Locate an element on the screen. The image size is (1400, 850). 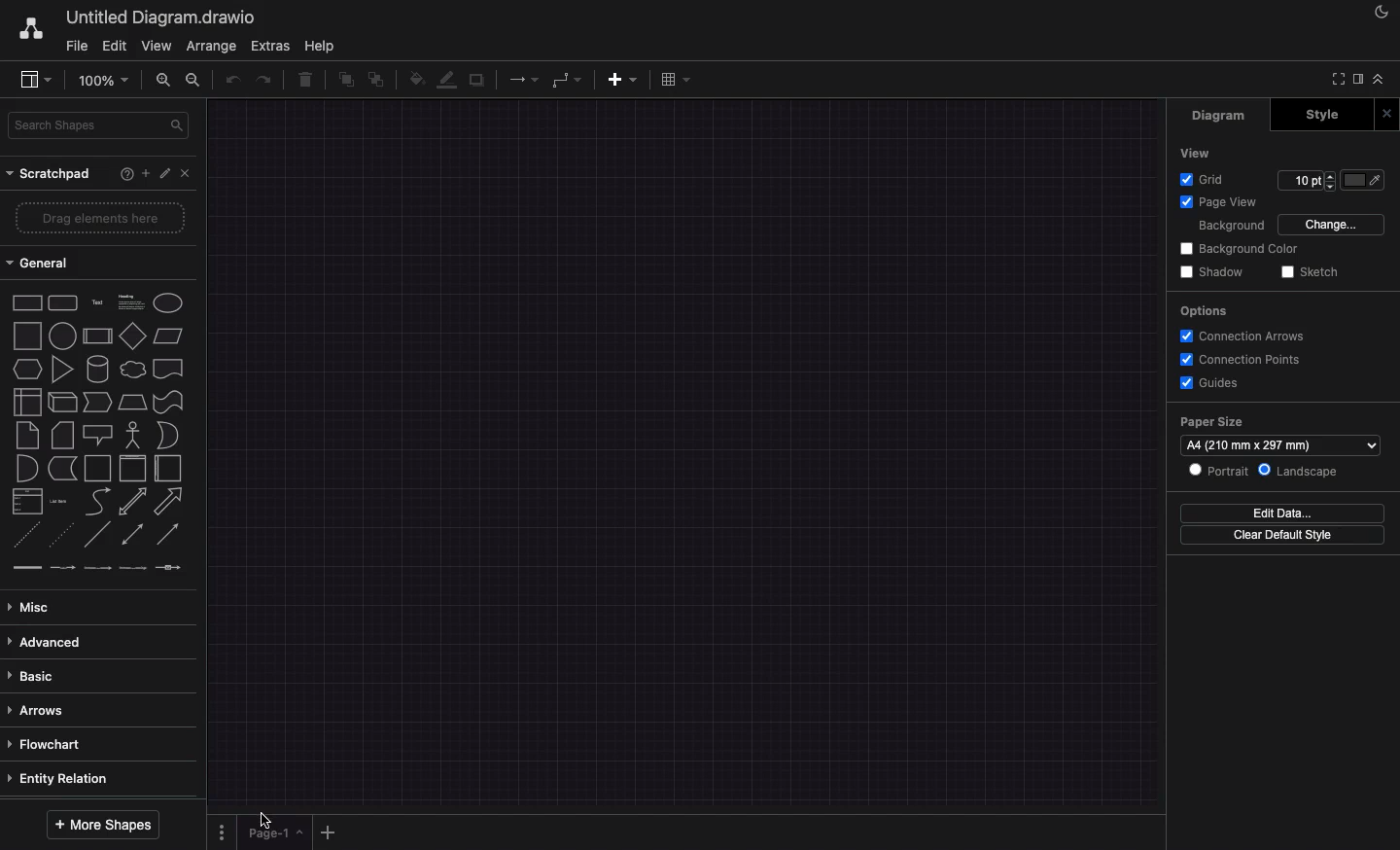
draw.io is located at coordinates (30, 27).